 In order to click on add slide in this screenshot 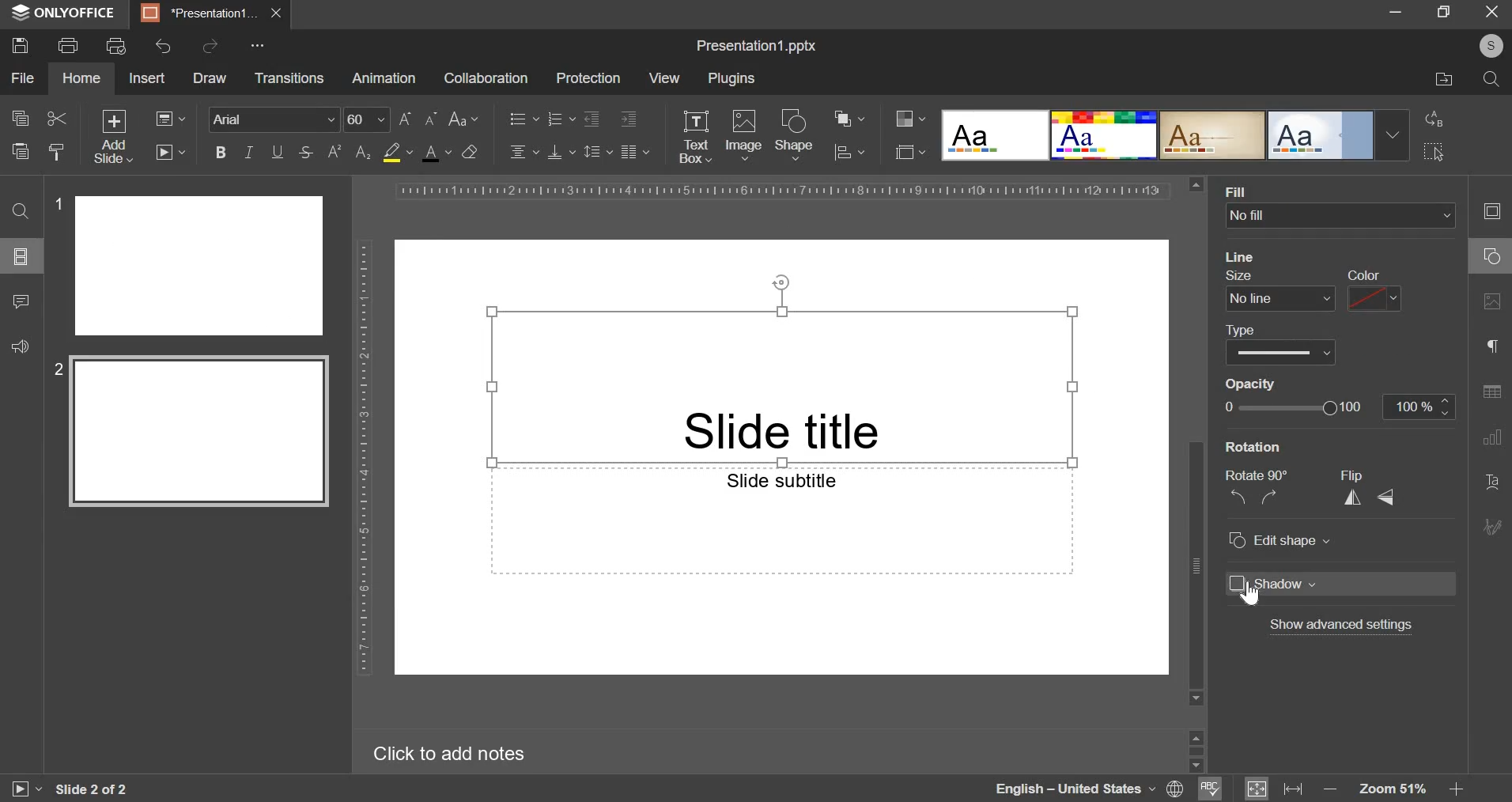, I will do `click(115, 137)`.